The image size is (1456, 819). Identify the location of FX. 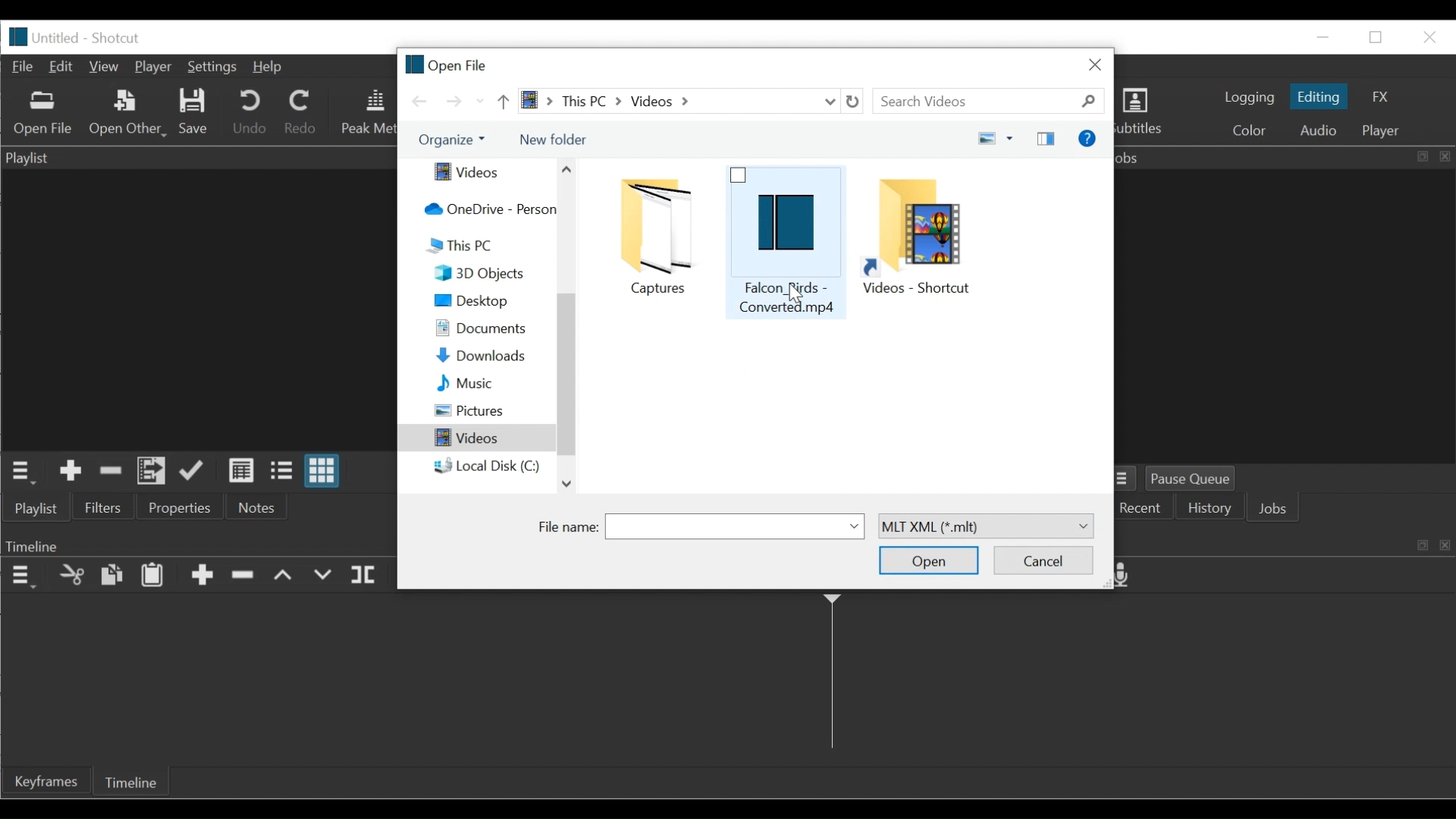
(1377, 98).